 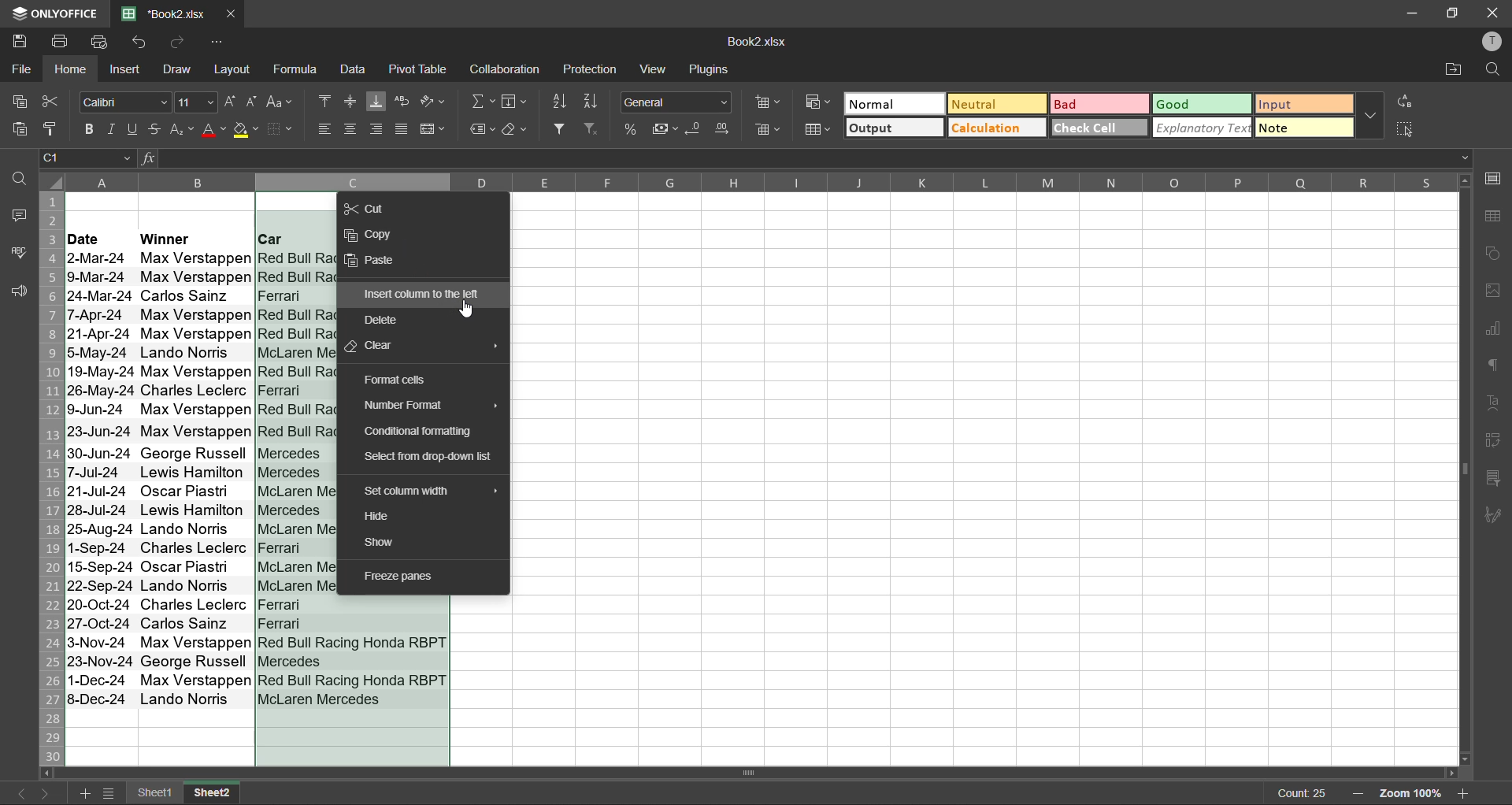 What do you see at coordinates (98, 238) in the screenshot?
I see `date` at bounding box center [98, 238].